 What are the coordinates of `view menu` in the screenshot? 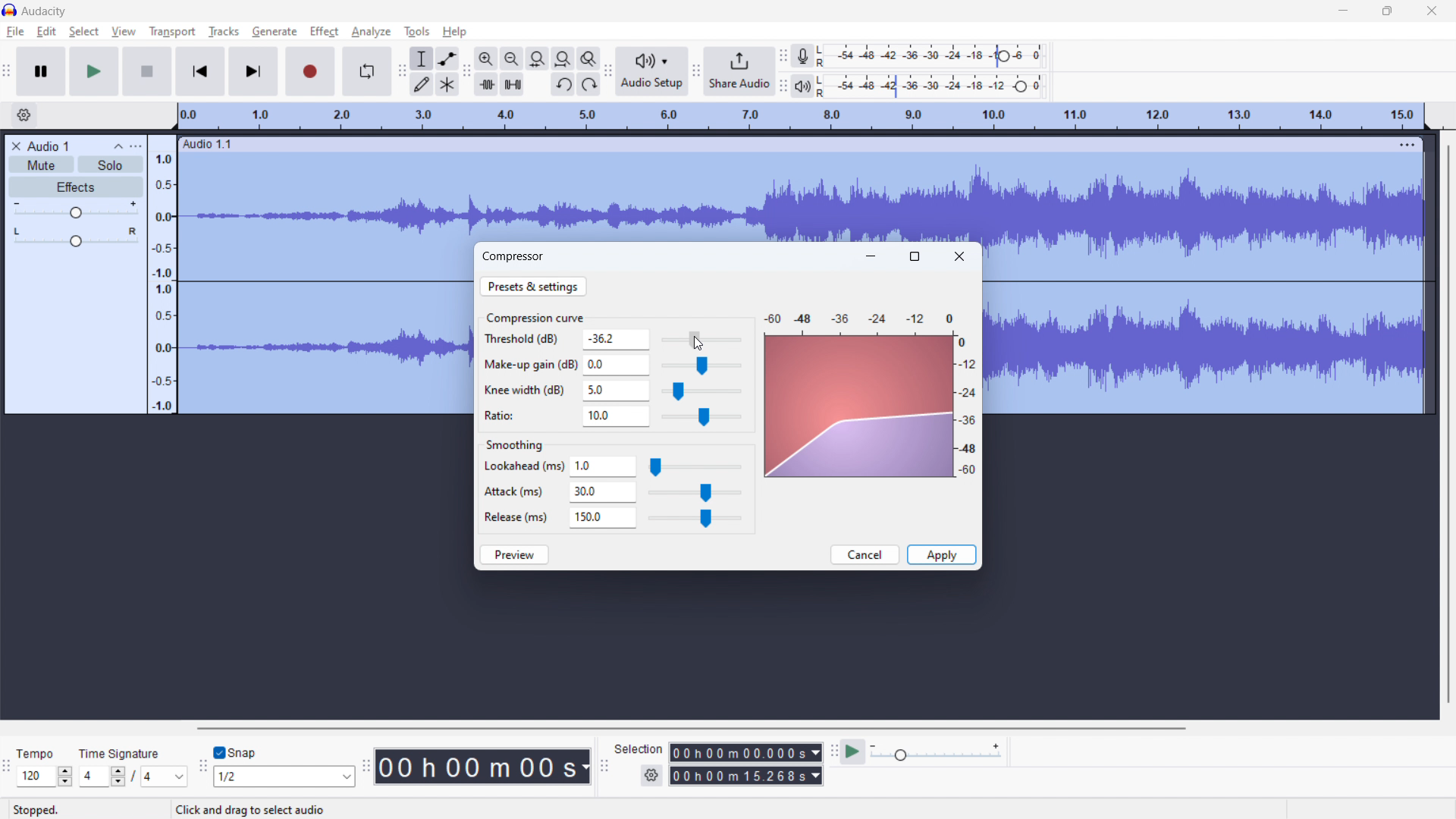 It's located at (135, 146).